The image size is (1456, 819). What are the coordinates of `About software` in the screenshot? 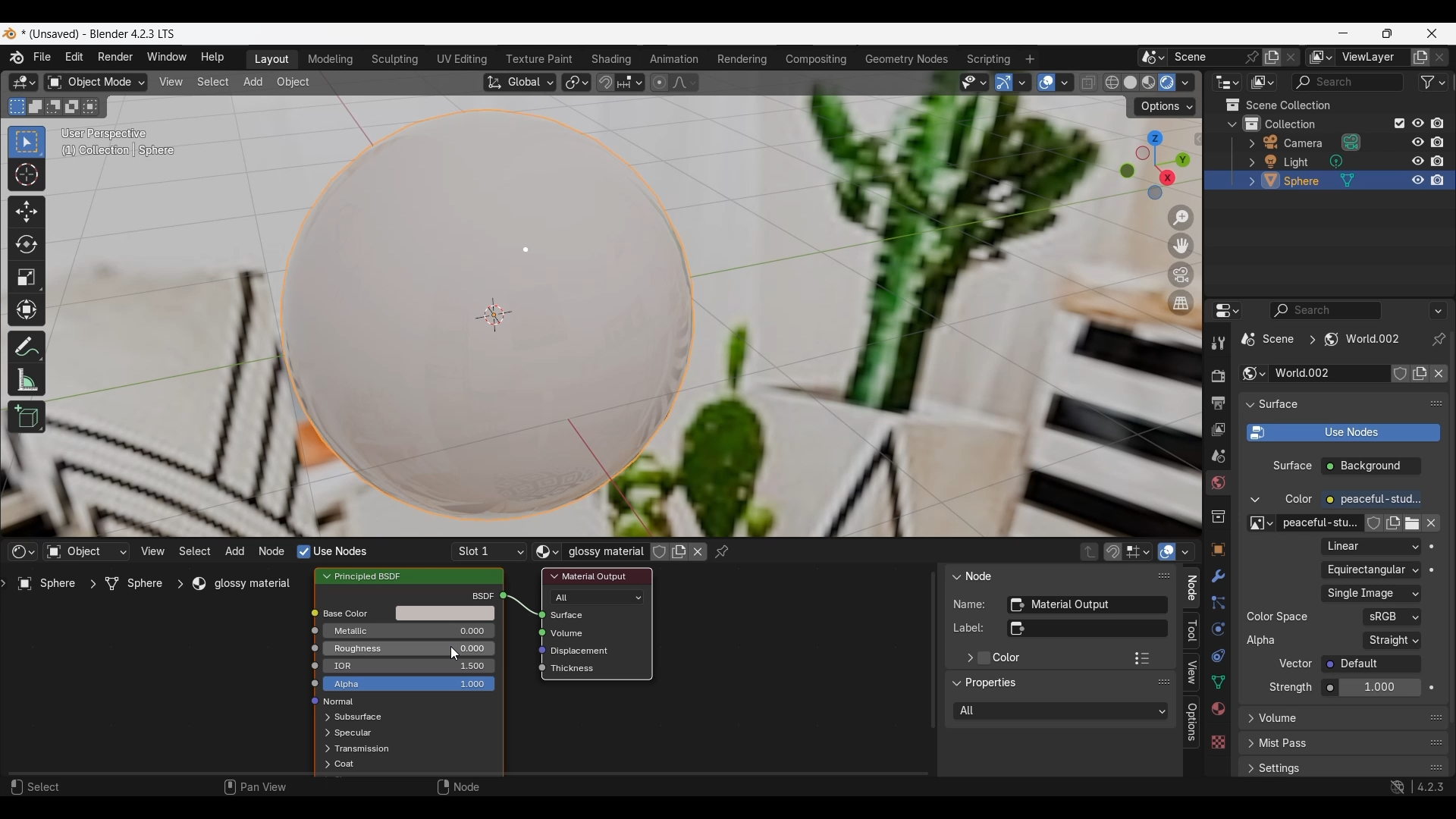 It's located at (16, 58).